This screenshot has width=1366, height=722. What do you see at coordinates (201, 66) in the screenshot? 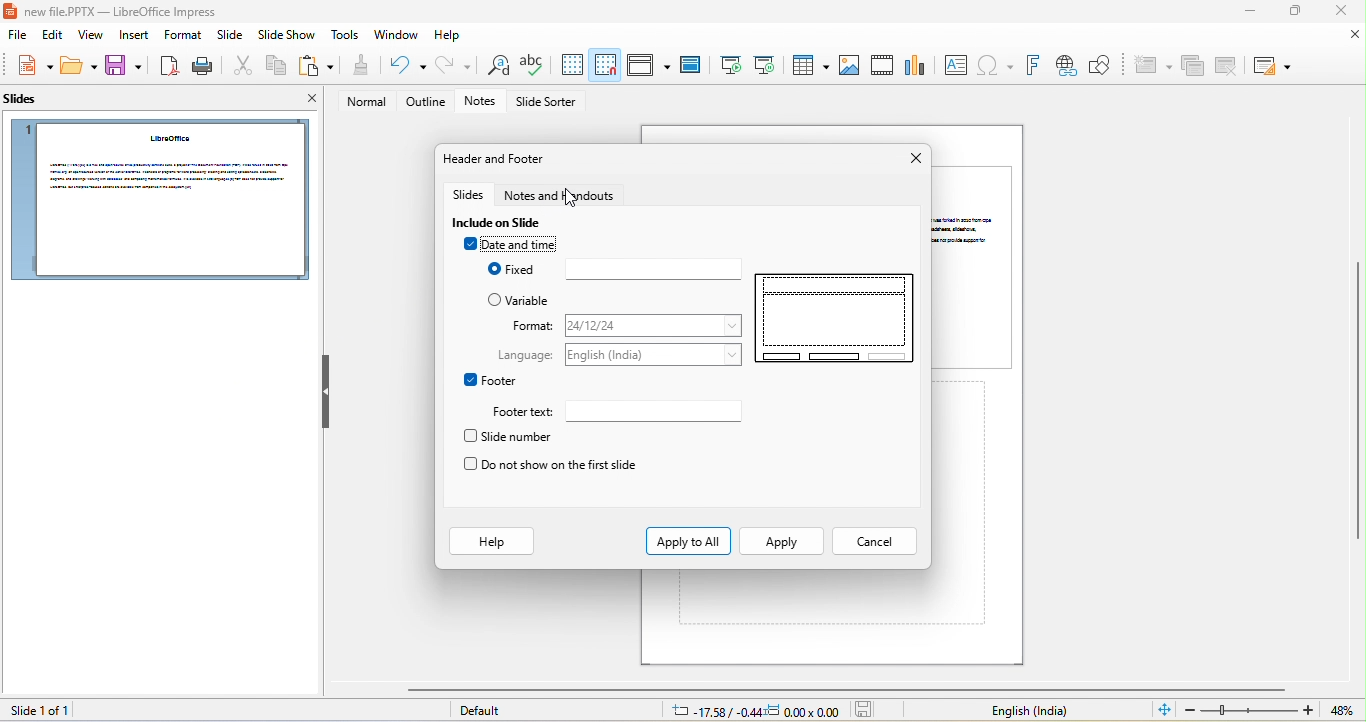
I see `print` at bounding box center [201, 66].